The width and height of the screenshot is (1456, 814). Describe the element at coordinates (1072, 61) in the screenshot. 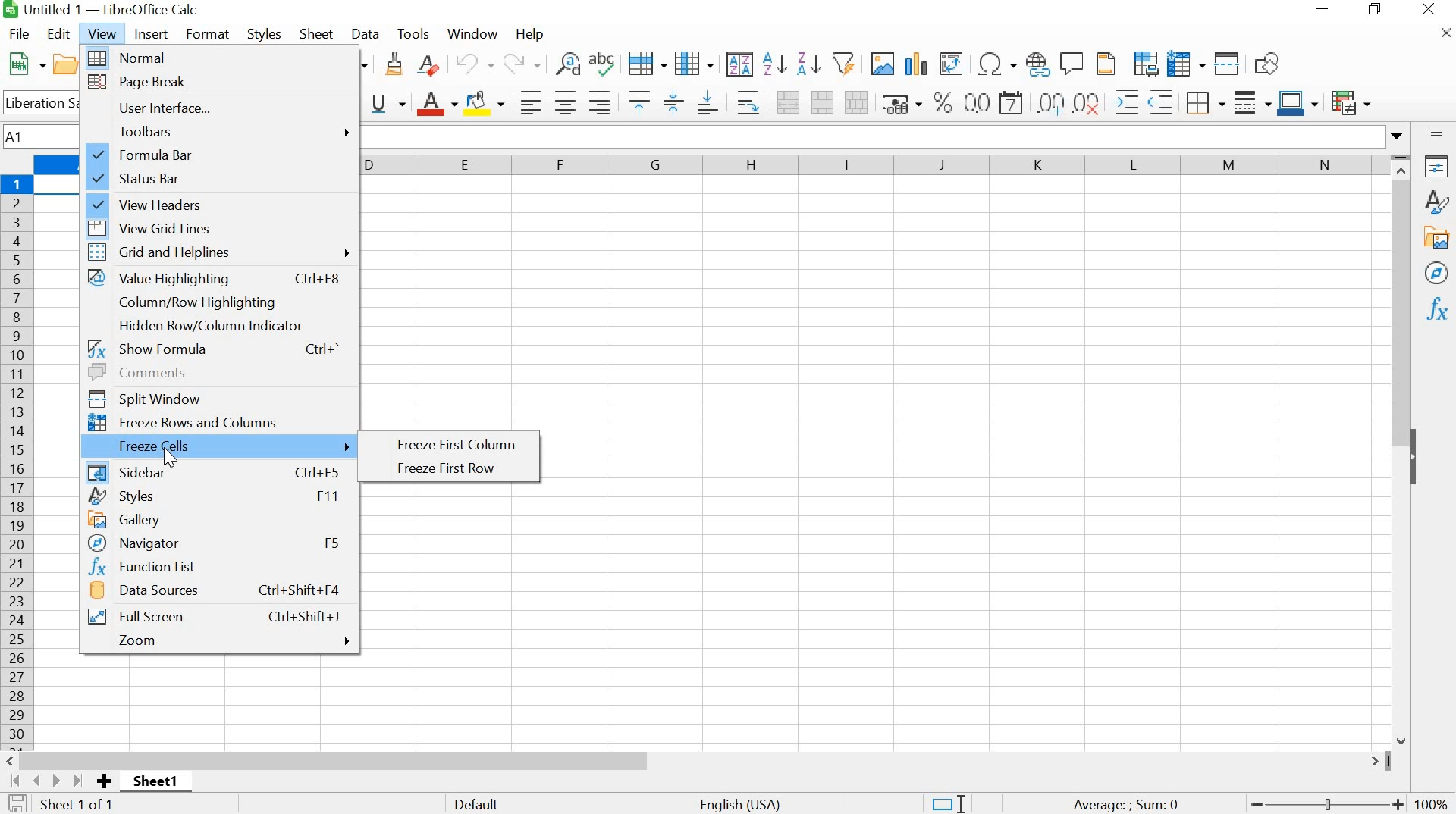

I see `INSERT COMMENT` at that location.